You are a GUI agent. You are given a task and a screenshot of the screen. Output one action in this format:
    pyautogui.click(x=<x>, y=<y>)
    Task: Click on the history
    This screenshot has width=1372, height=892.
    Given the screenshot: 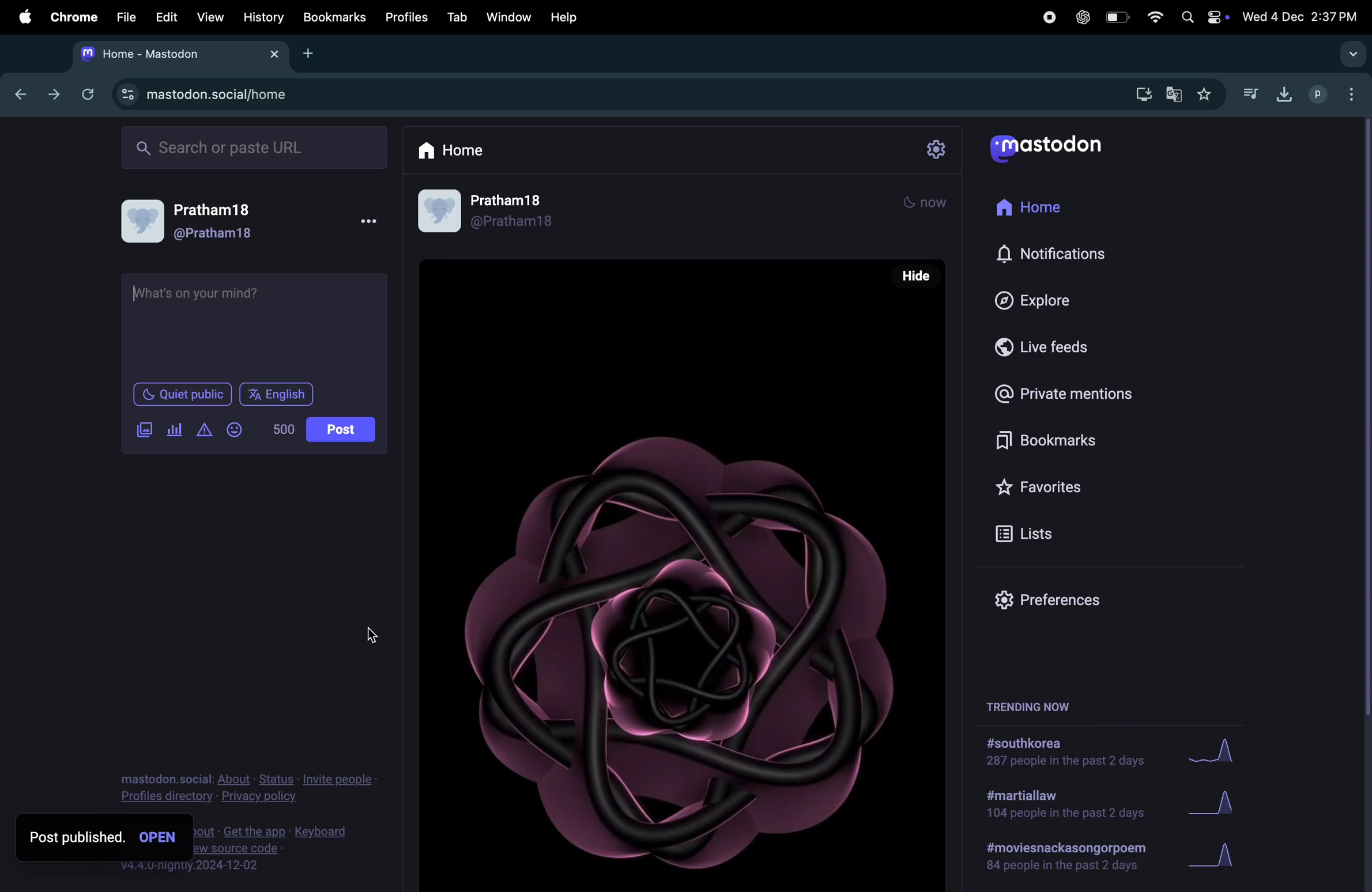 What is the action you would take?
    pyautogui.click(x=265, y=17)
    